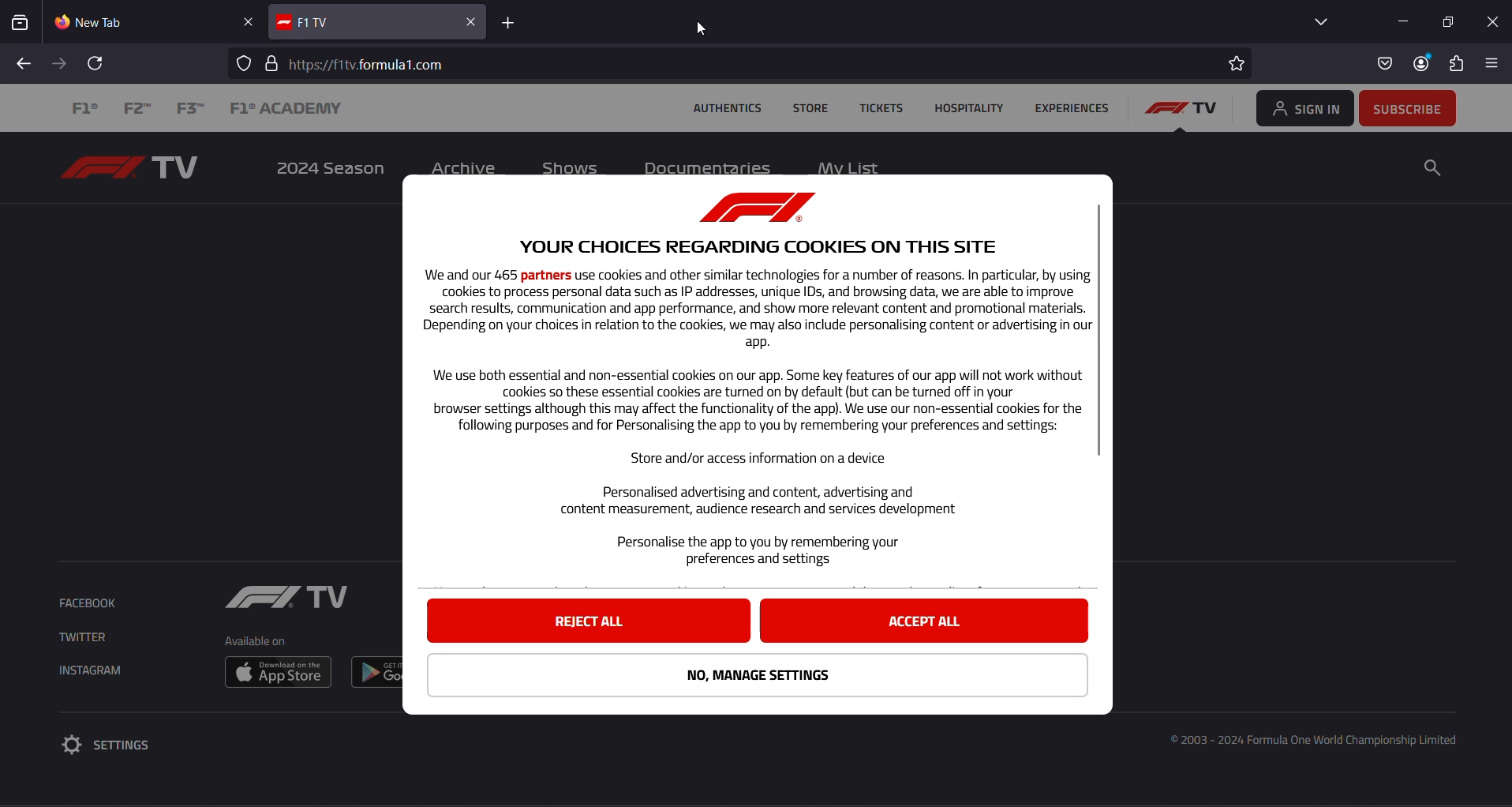 The width and height of the screenshot is (1512, 807). What do you see at coordinates (1497, 65) in the screenshot?
I see `open application menu` at bounding box center [1497, 65].